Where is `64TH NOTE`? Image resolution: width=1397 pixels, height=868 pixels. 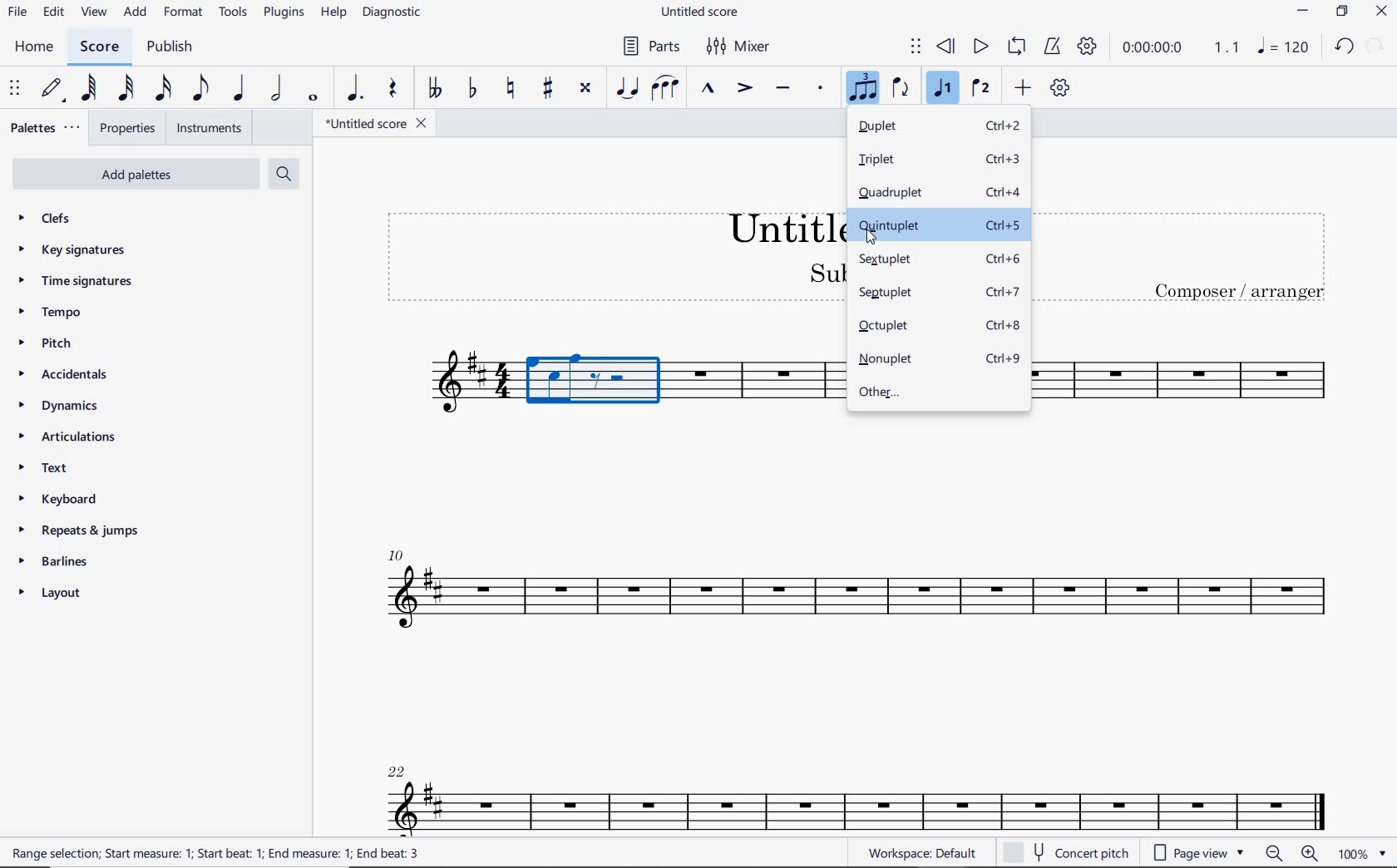
64TH NOTE is located at coordinates (89, 87).